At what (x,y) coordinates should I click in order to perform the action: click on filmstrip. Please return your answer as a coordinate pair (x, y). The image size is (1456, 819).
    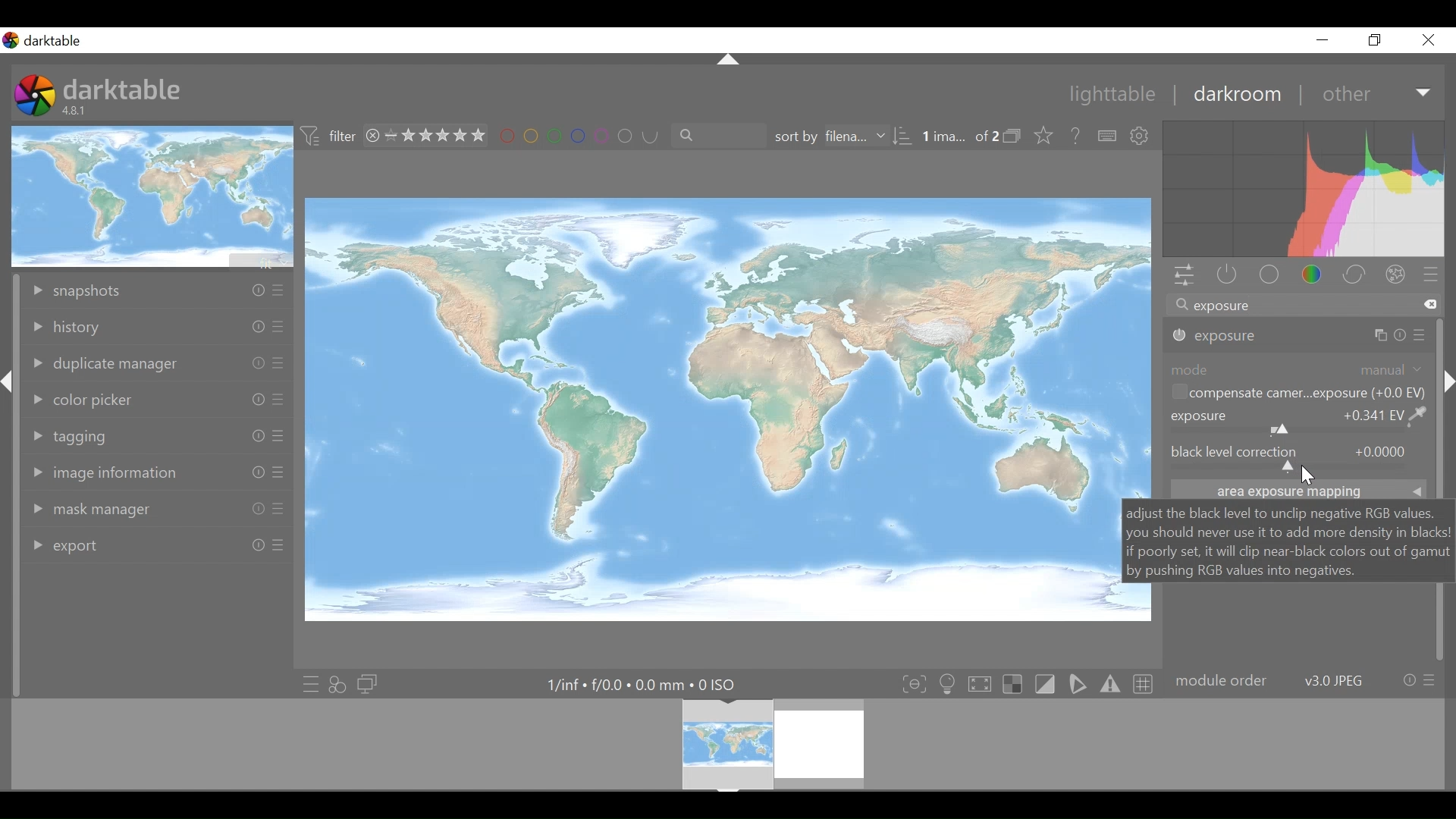
    Looking at the image, I should click on (726, 744).